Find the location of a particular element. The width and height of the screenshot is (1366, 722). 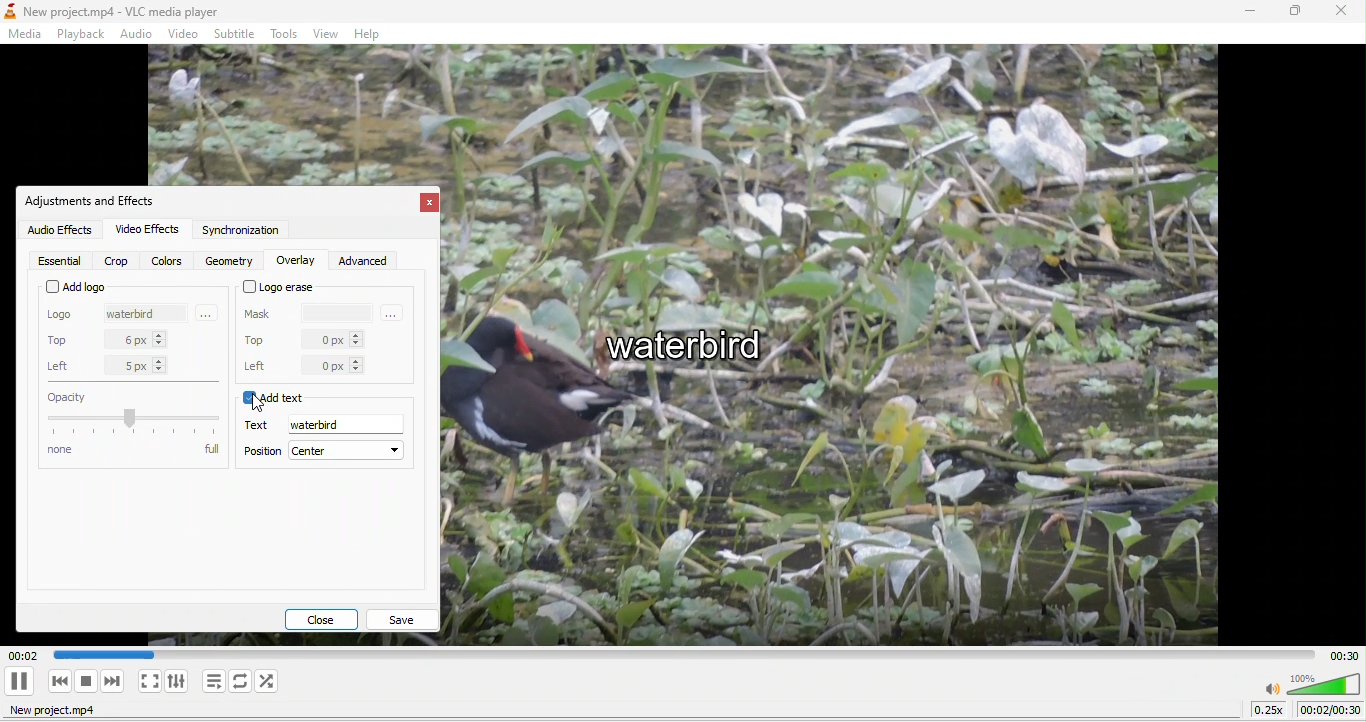

left is located at coordinates (62, 365).